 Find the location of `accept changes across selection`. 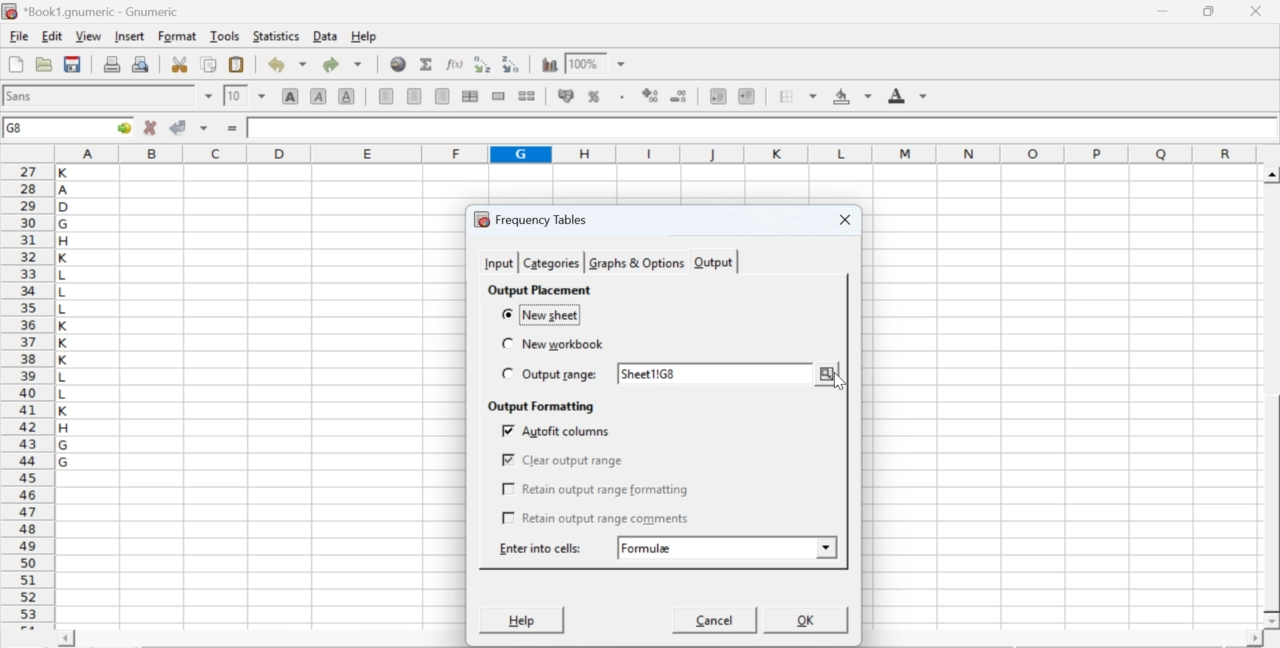

accept changes across selection is located at coordinates (203, 127).